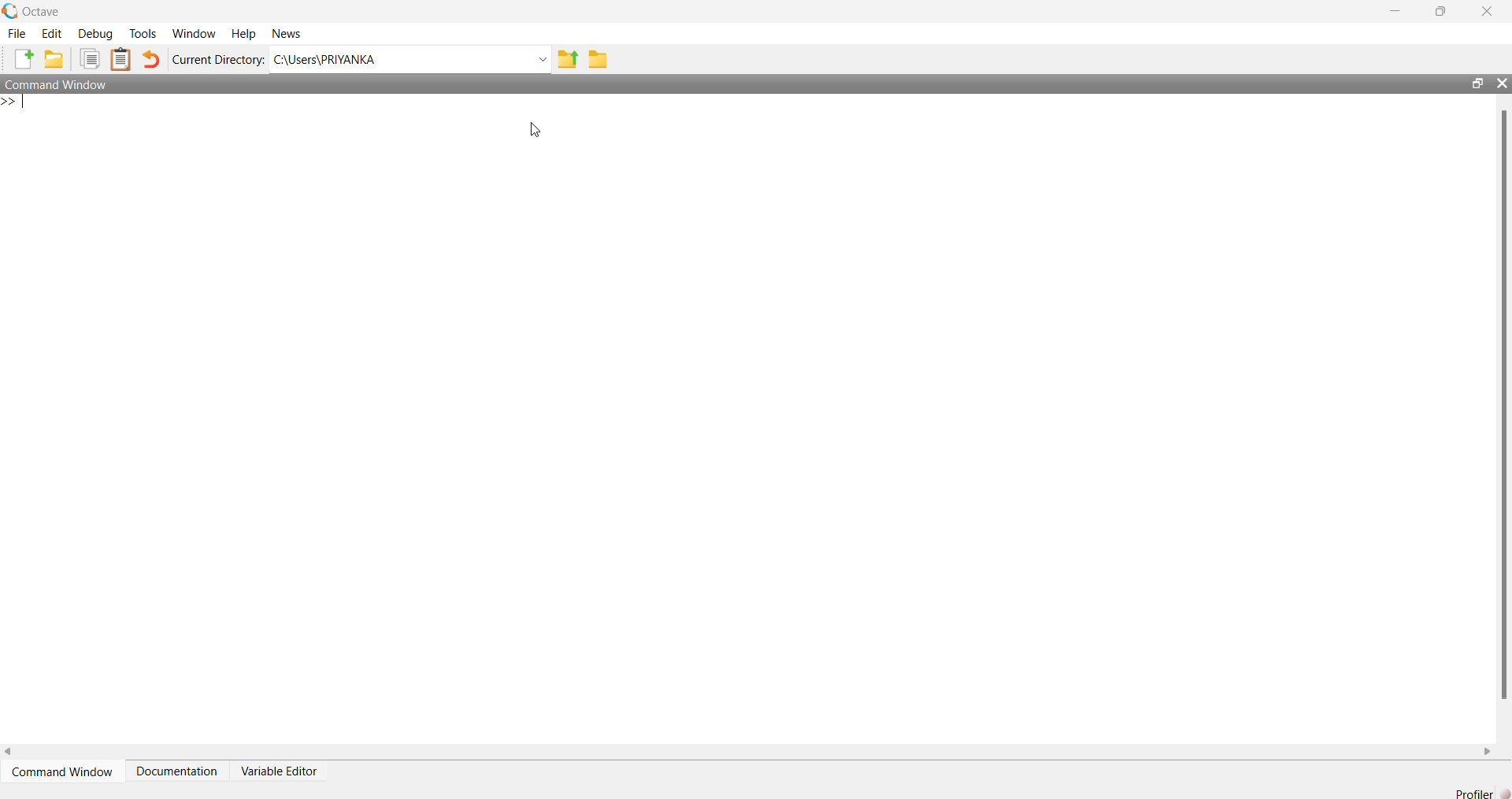 The height and width of the screenshot is (799, 1512). Describe the element at coordinates (1467, 792) in the screenshot. I see `Drafile` at that location.